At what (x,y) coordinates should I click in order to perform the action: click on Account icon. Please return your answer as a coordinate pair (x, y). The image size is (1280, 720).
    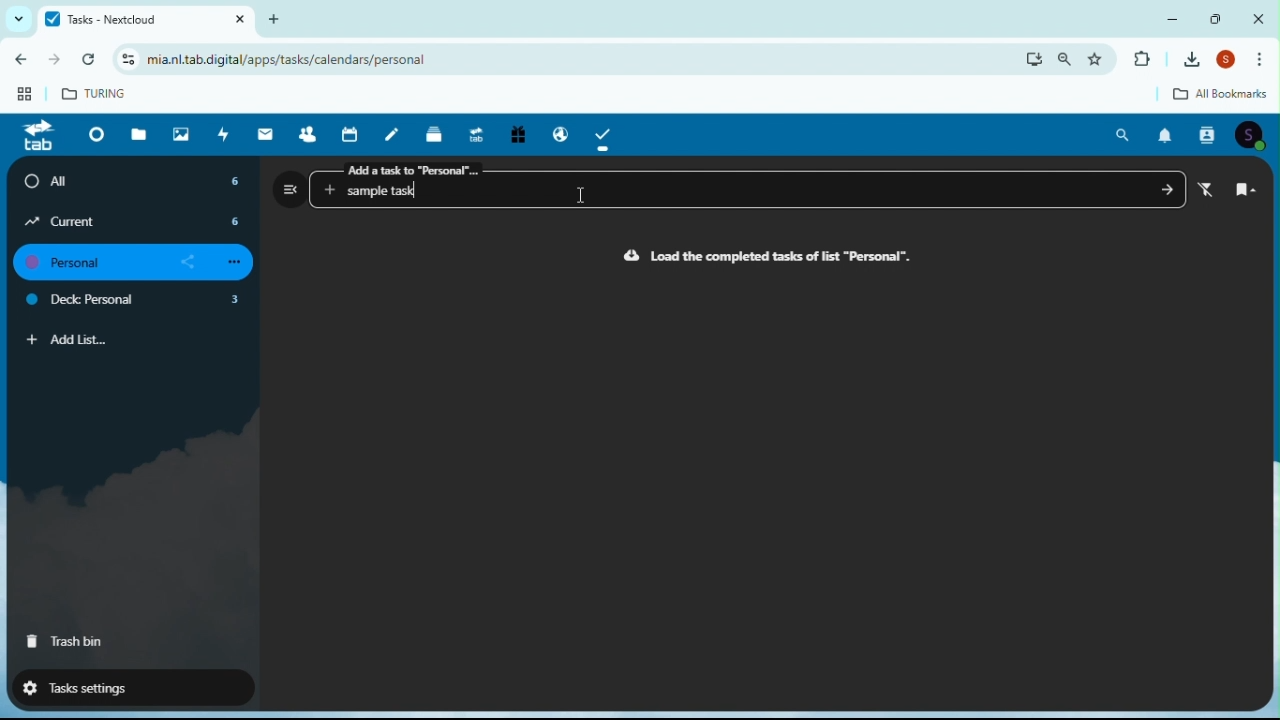
    Looking at the image, I should click on (1230, 61).